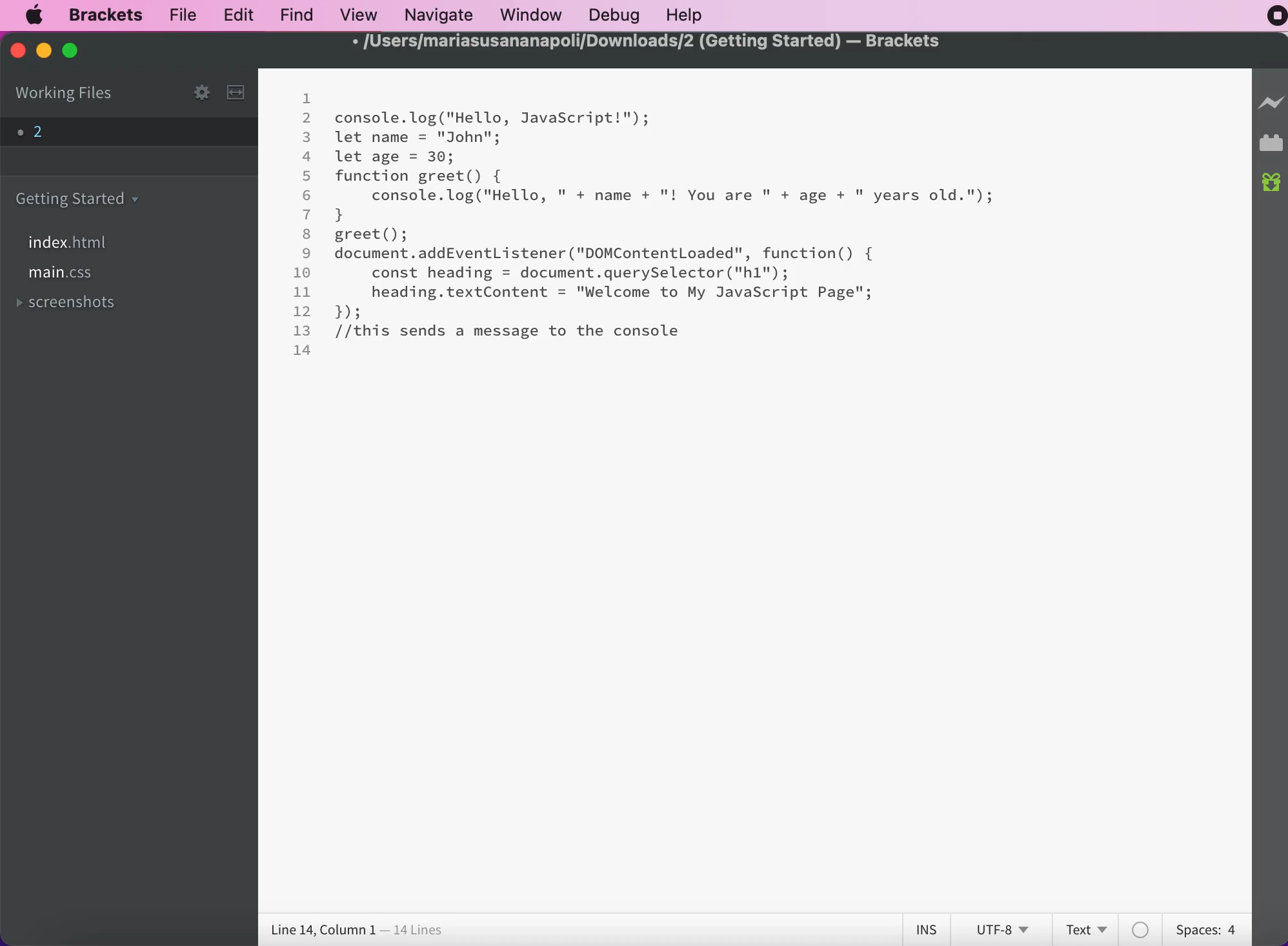  What do you see at coordinates (1271, 144) in the screenshot?
I see `extension manager` at bounding box center [1271, 144].